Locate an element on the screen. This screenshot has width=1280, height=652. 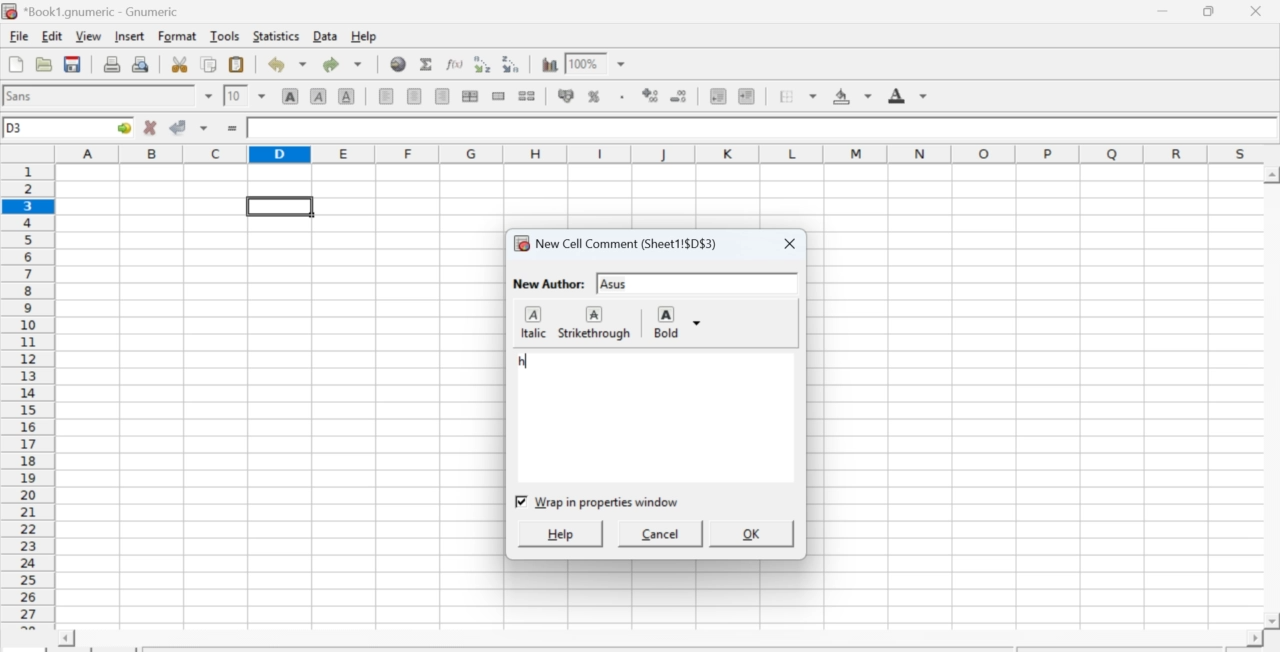
New Author: is located at coordinates (549, 284).